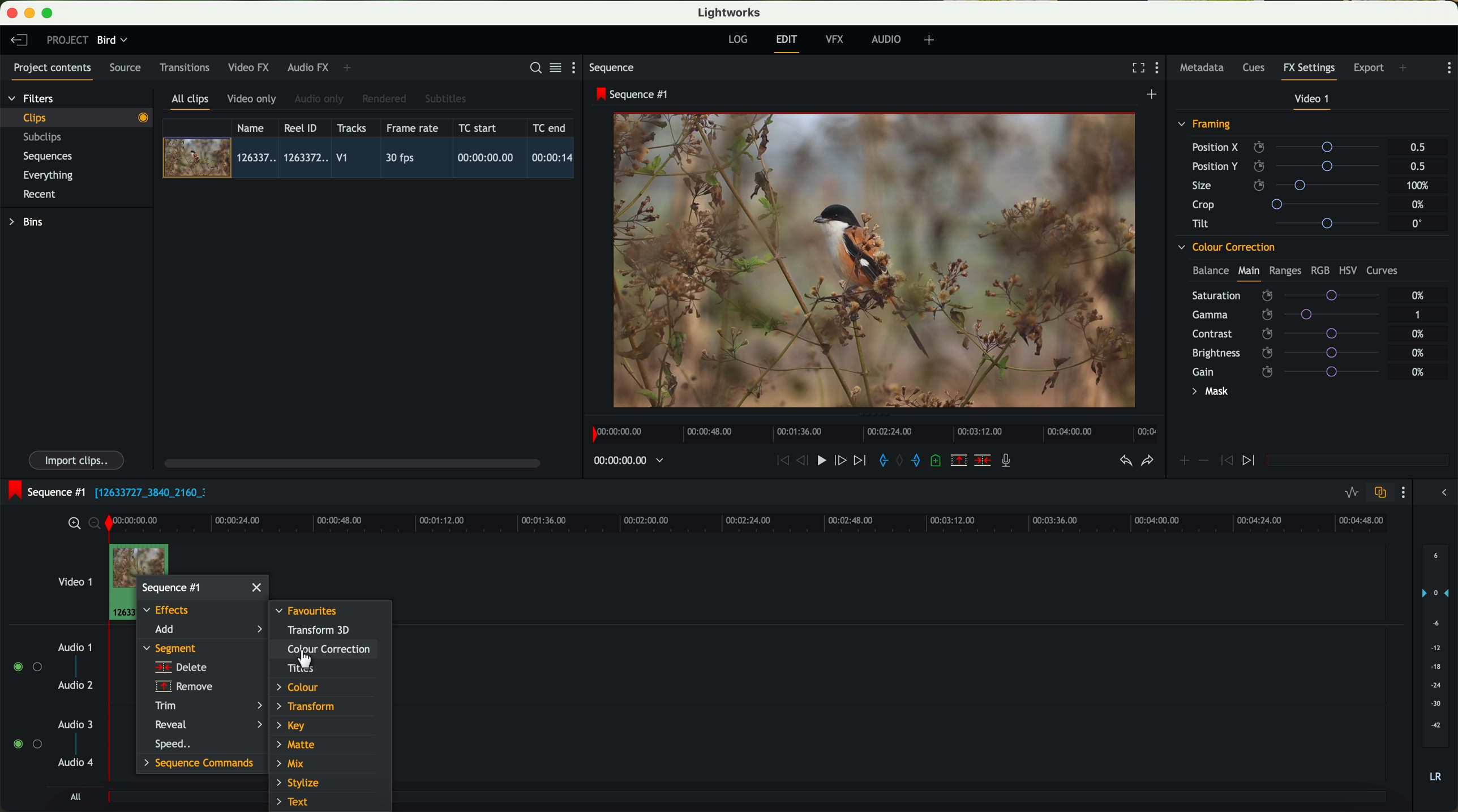 The width and height of the screenshot is (1458, 812). I want to click on remove, so click(185, 686).